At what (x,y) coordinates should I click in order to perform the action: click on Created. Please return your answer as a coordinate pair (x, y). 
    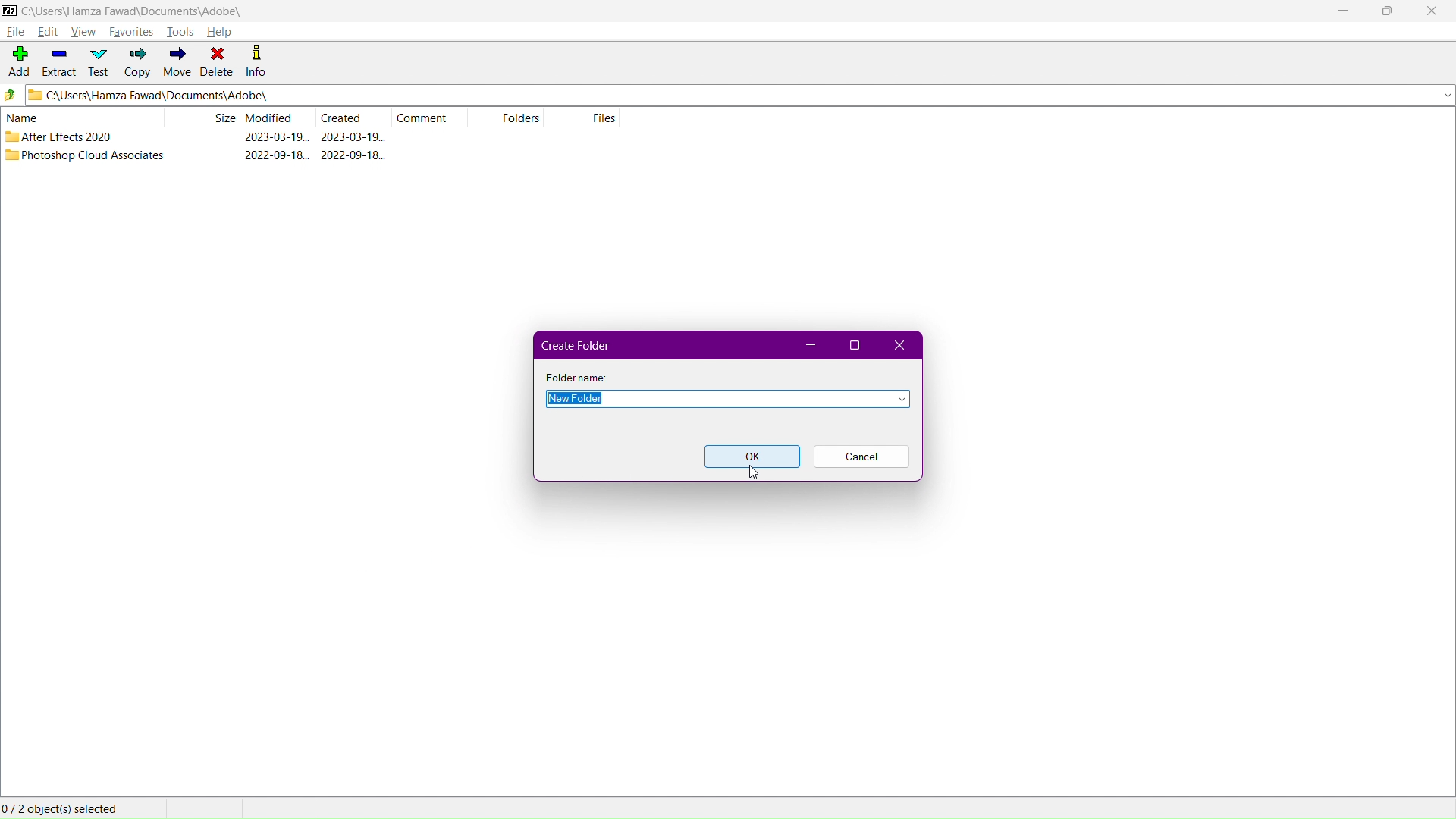
    Looking at the image, I should click on (354, 117).